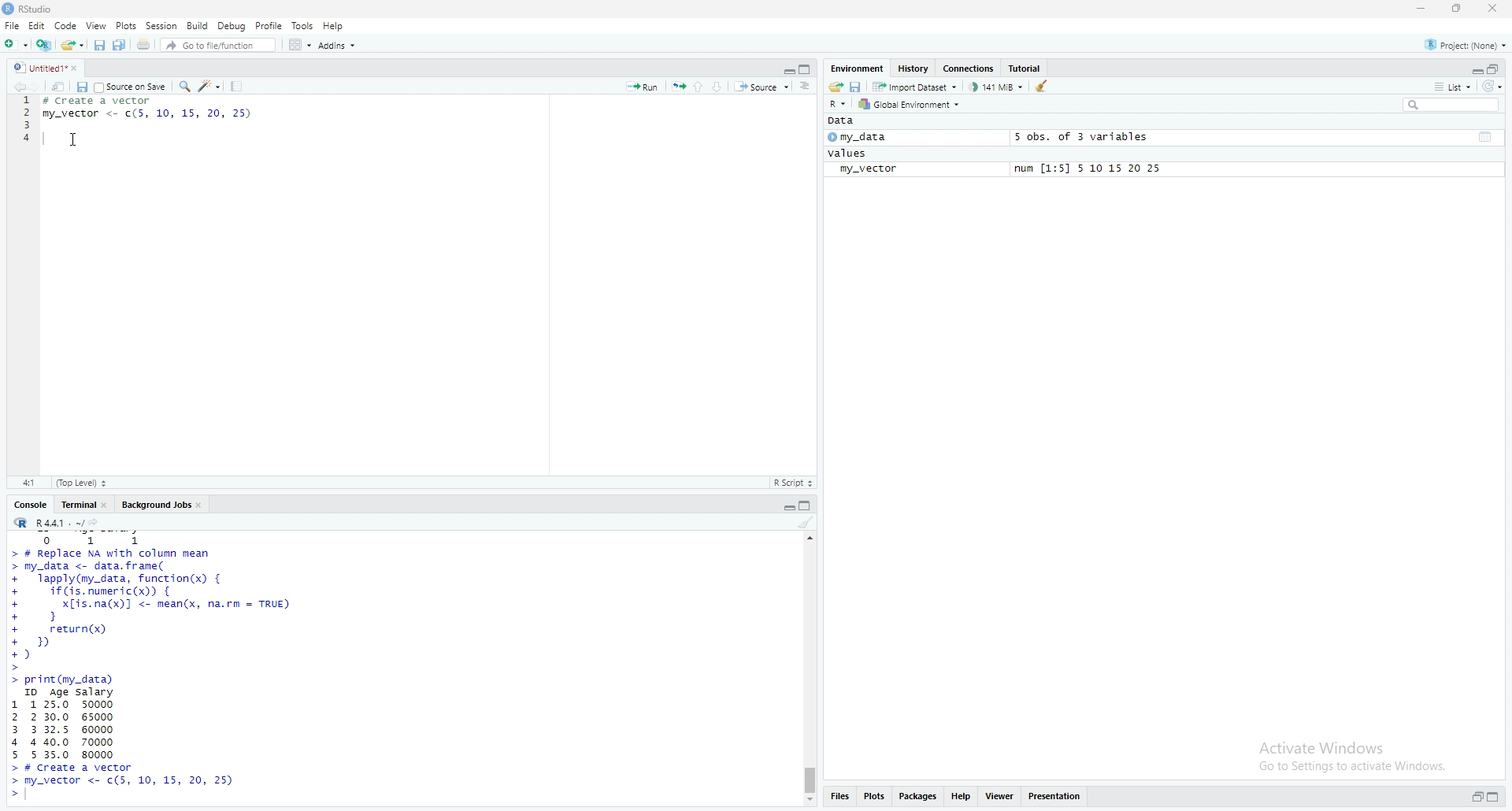 The width and height of the screenshot is (1512, 811). What do you see at coordinates (210, 87) in the screenshot?
I see `code tools` at bounding box center [210, 87].